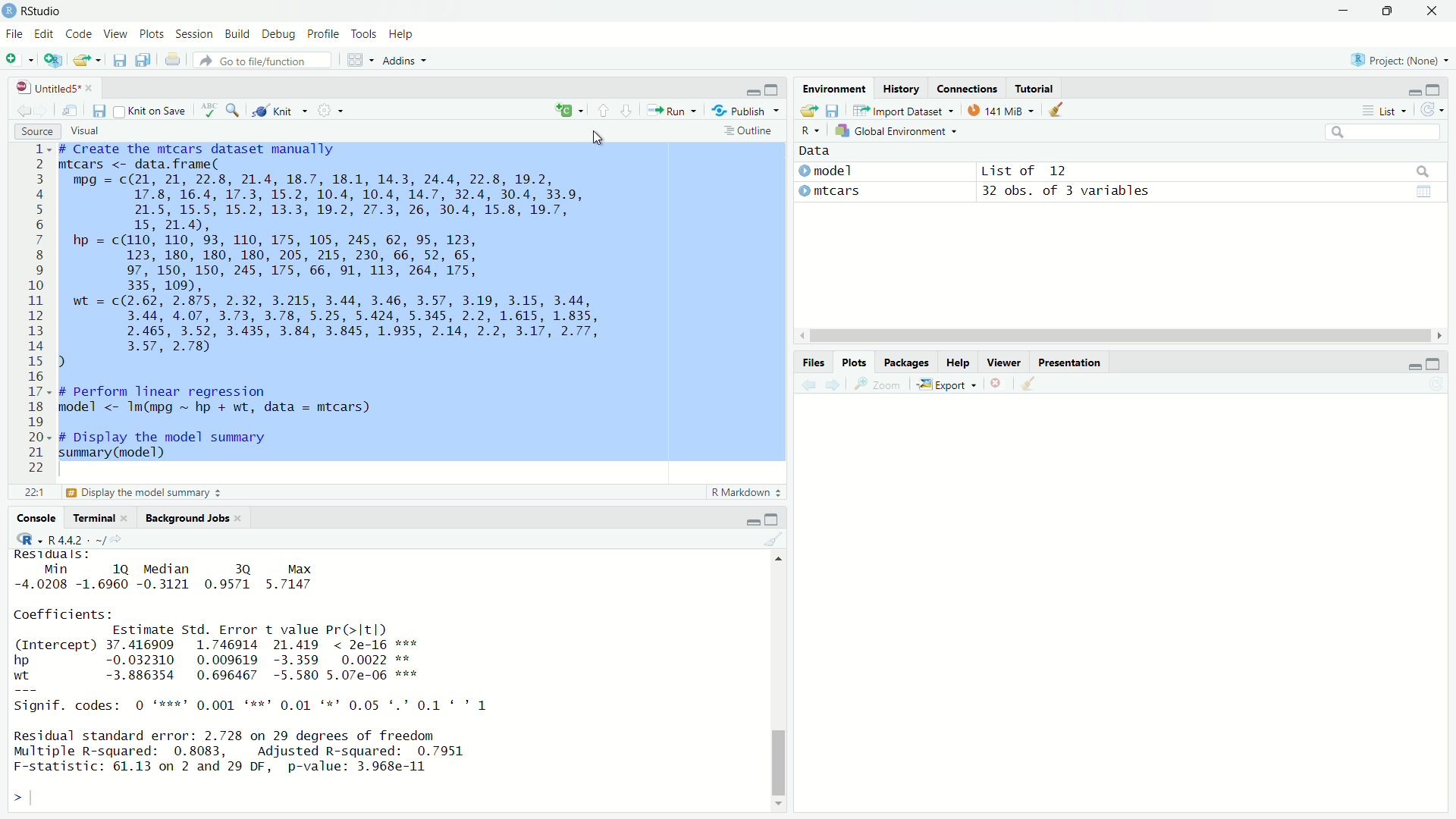 This screenshot has height=819, width=1456. I want to click on view data, so click(1426, 193).